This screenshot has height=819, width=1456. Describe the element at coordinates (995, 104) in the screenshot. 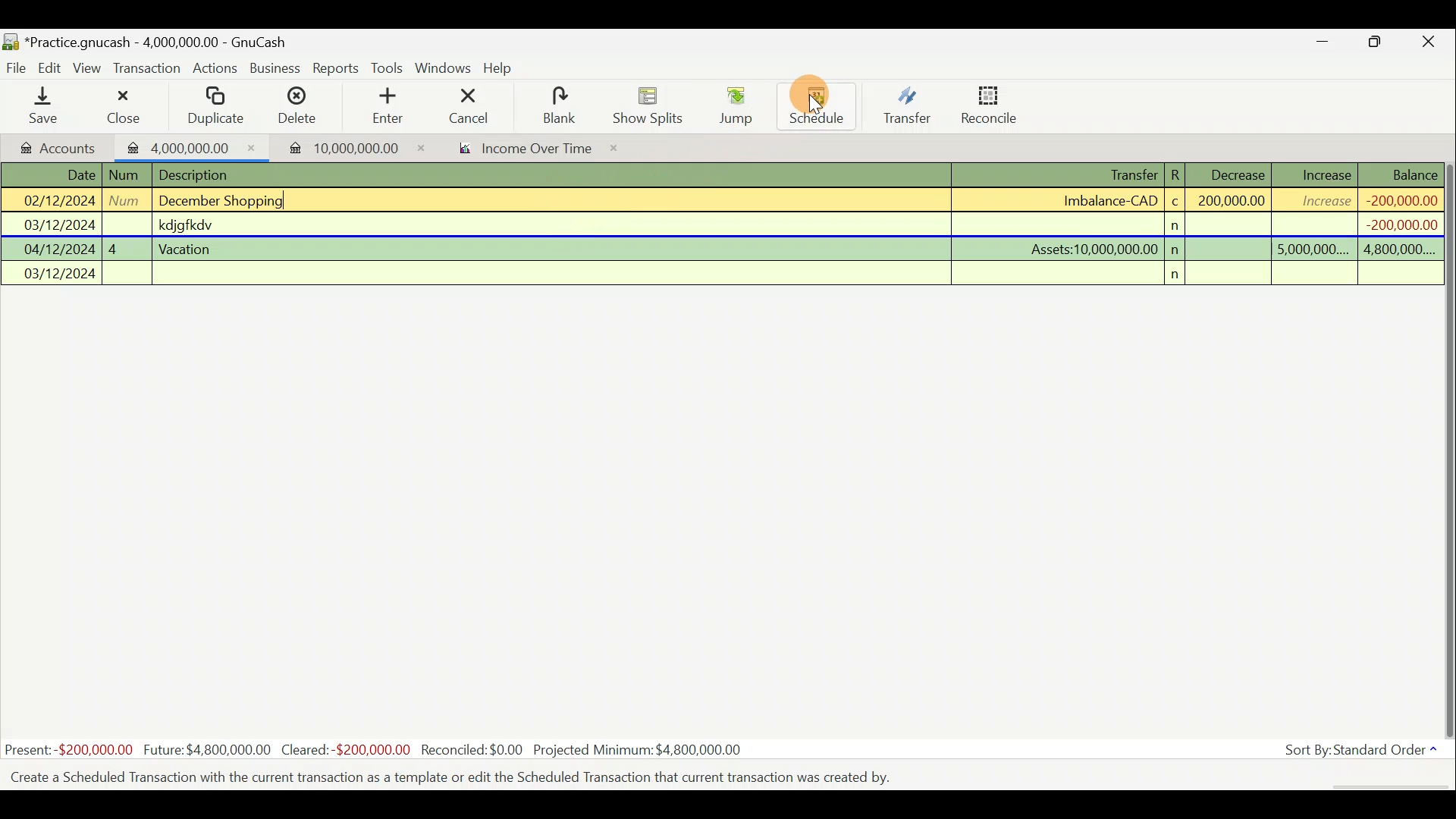

I see `Reconcile` at that location.